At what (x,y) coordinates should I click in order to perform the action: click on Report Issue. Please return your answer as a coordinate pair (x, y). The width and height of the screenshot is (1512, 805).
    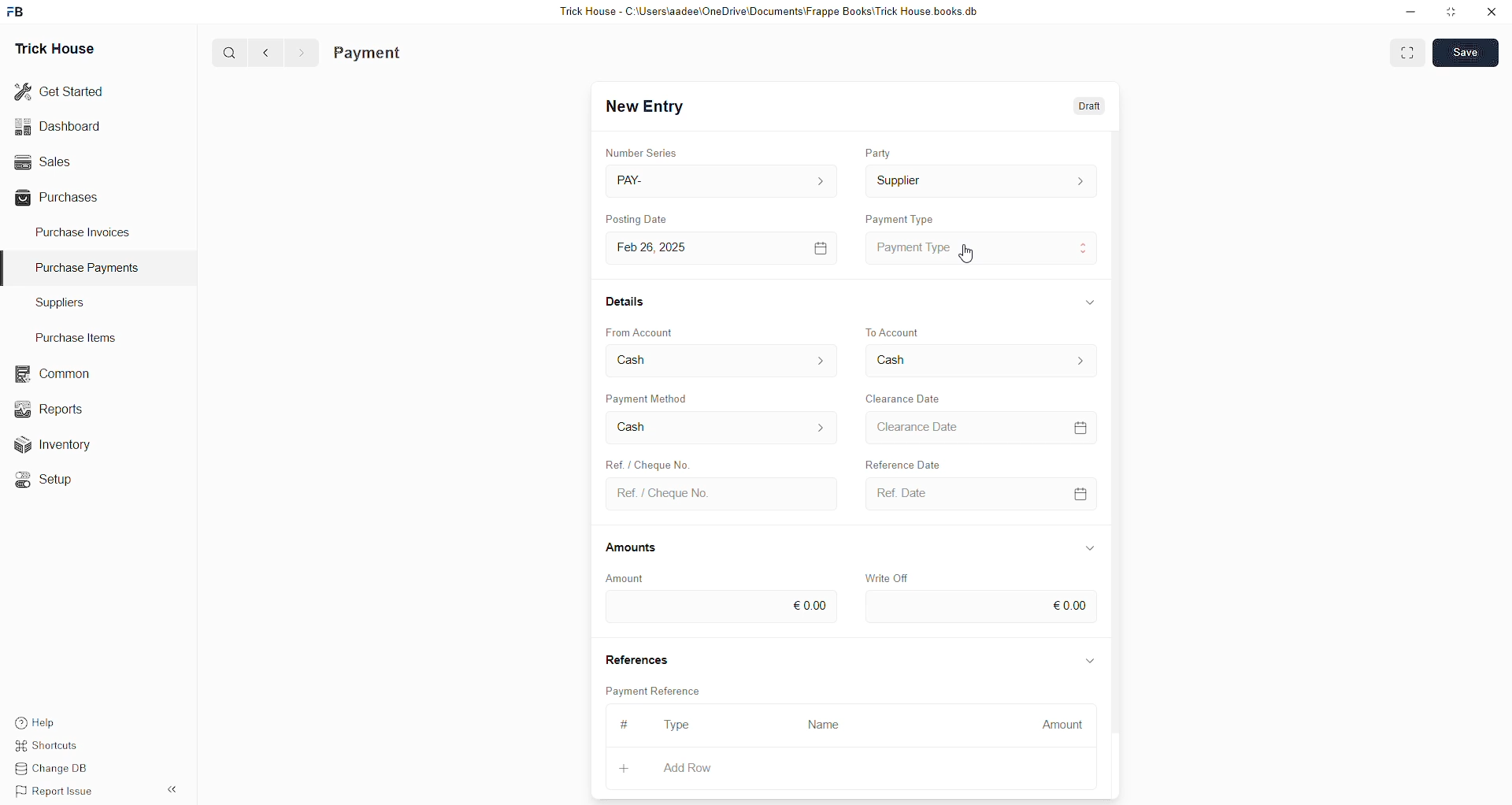
    Looking at the image, I should click on (51, 789).